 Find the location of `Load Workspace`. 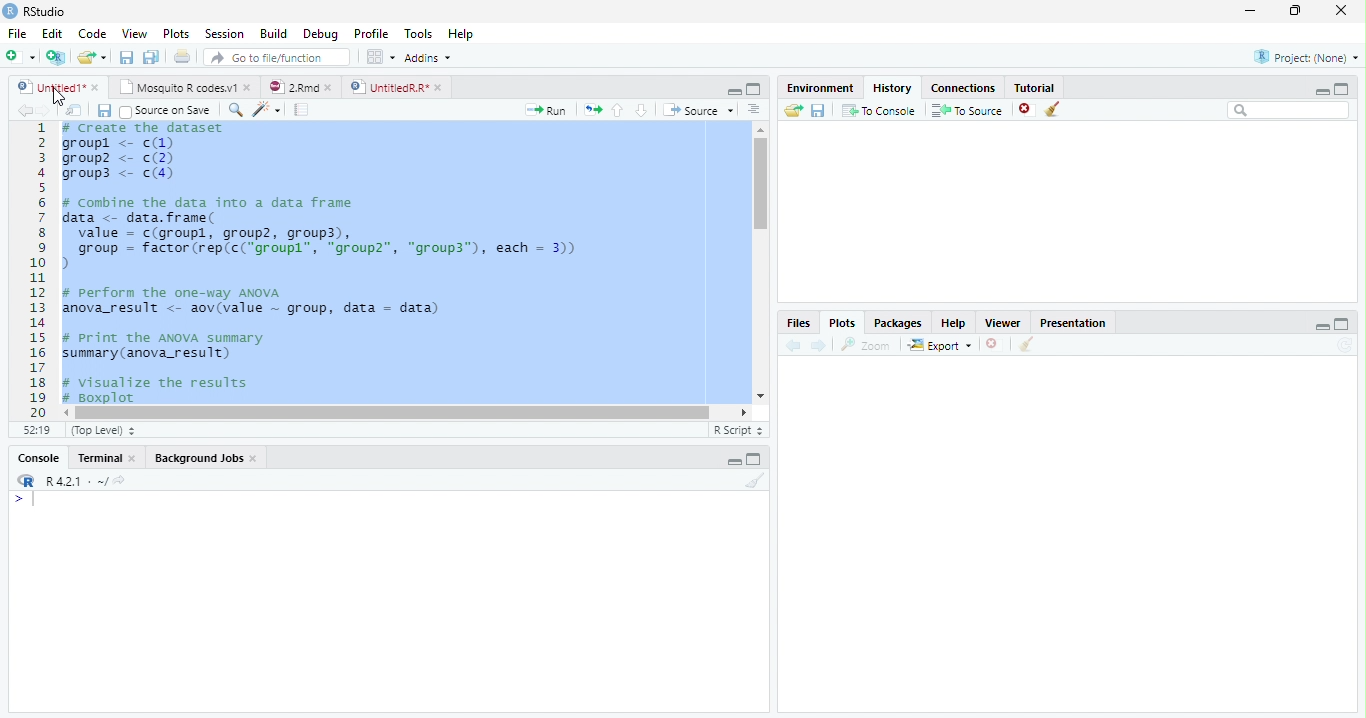

Load Workspace is located at coordinates (794, 111).